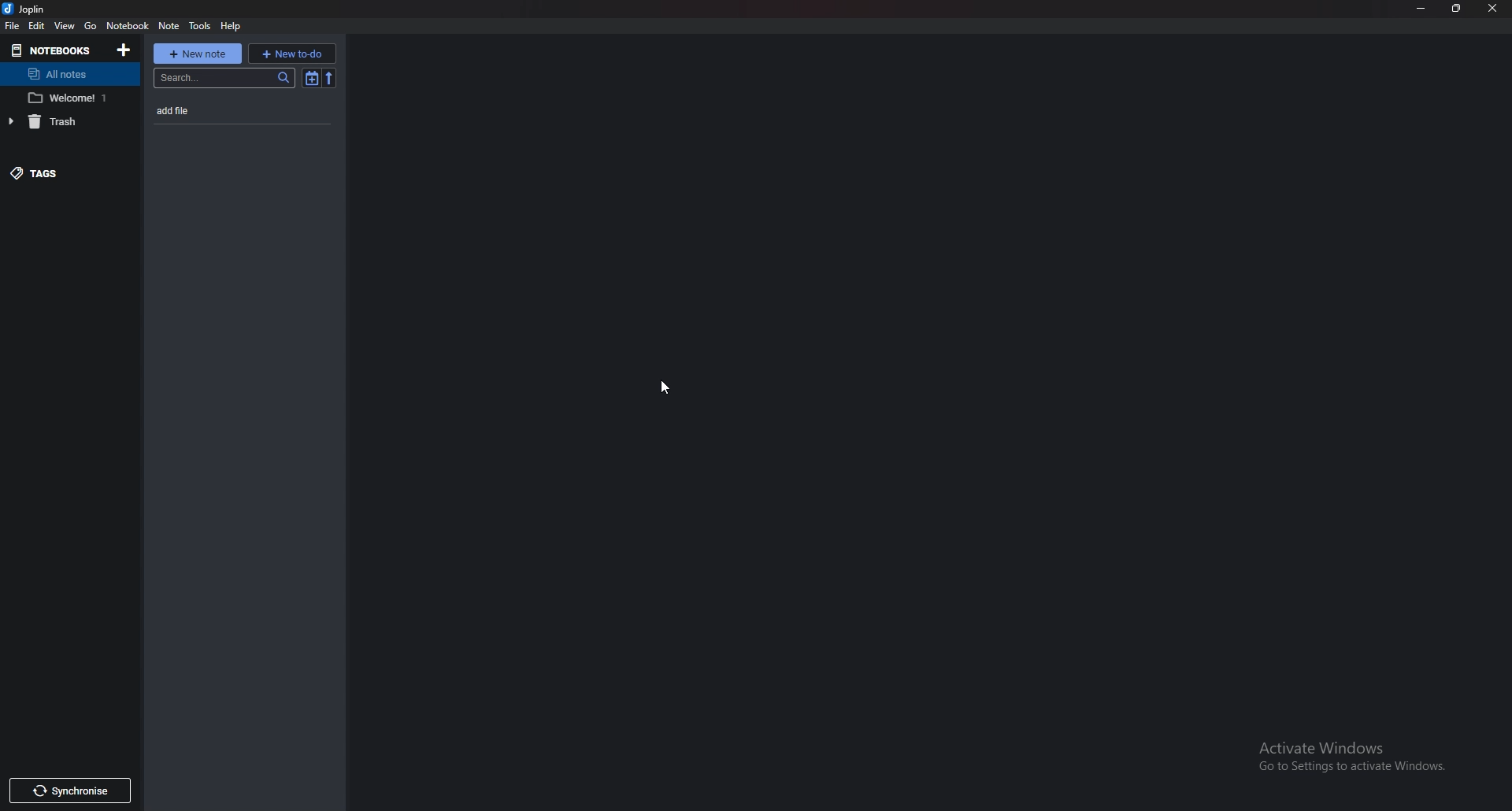 The width and height of the screenshot is (1512, 811). Describe the element at coordinates (124, 50) in the screenshot. I see `Add notebooks` at that location.